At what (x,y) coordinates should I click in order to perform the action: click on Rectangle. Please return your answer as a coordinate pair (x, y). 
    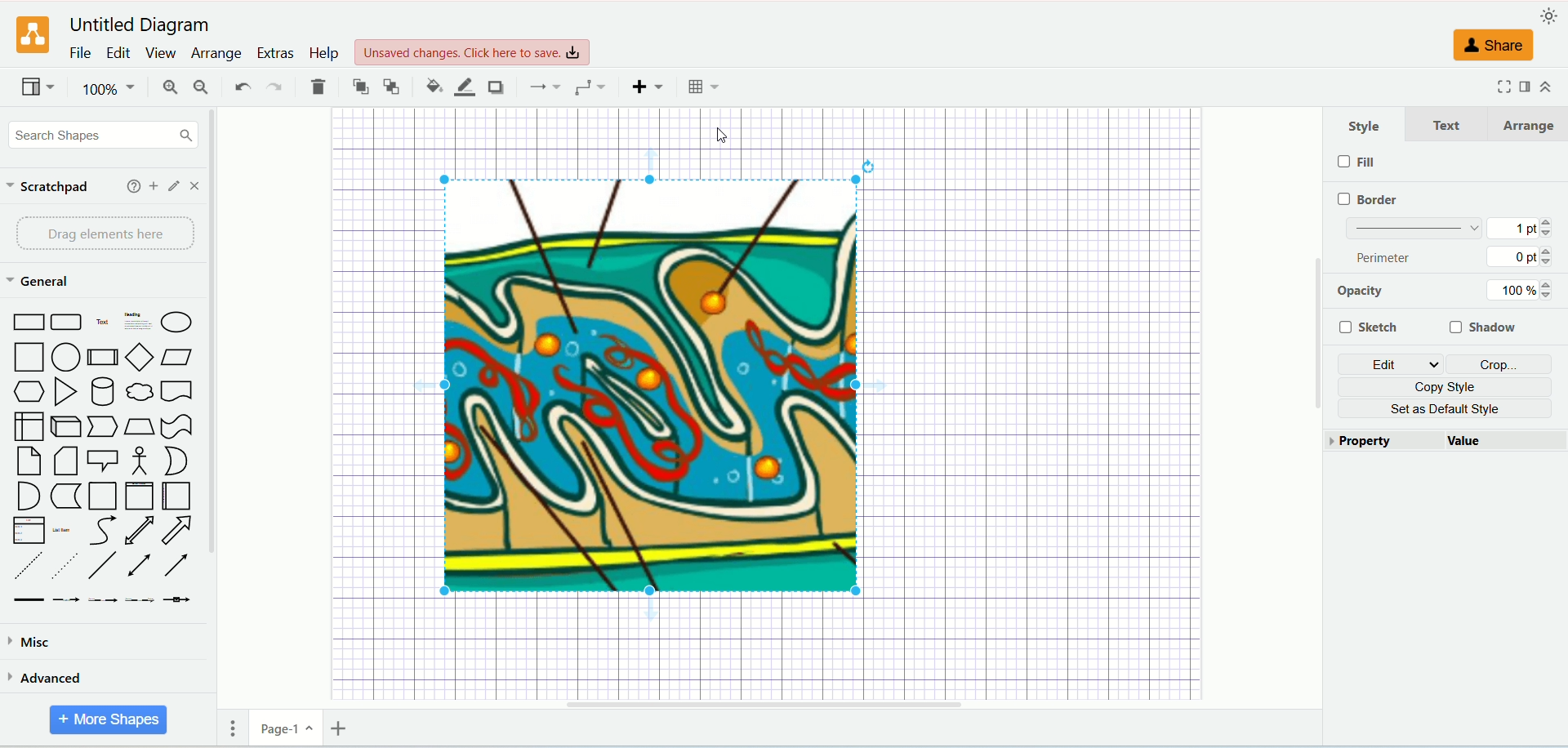
    Looking at the image, I should click on (30, 321).